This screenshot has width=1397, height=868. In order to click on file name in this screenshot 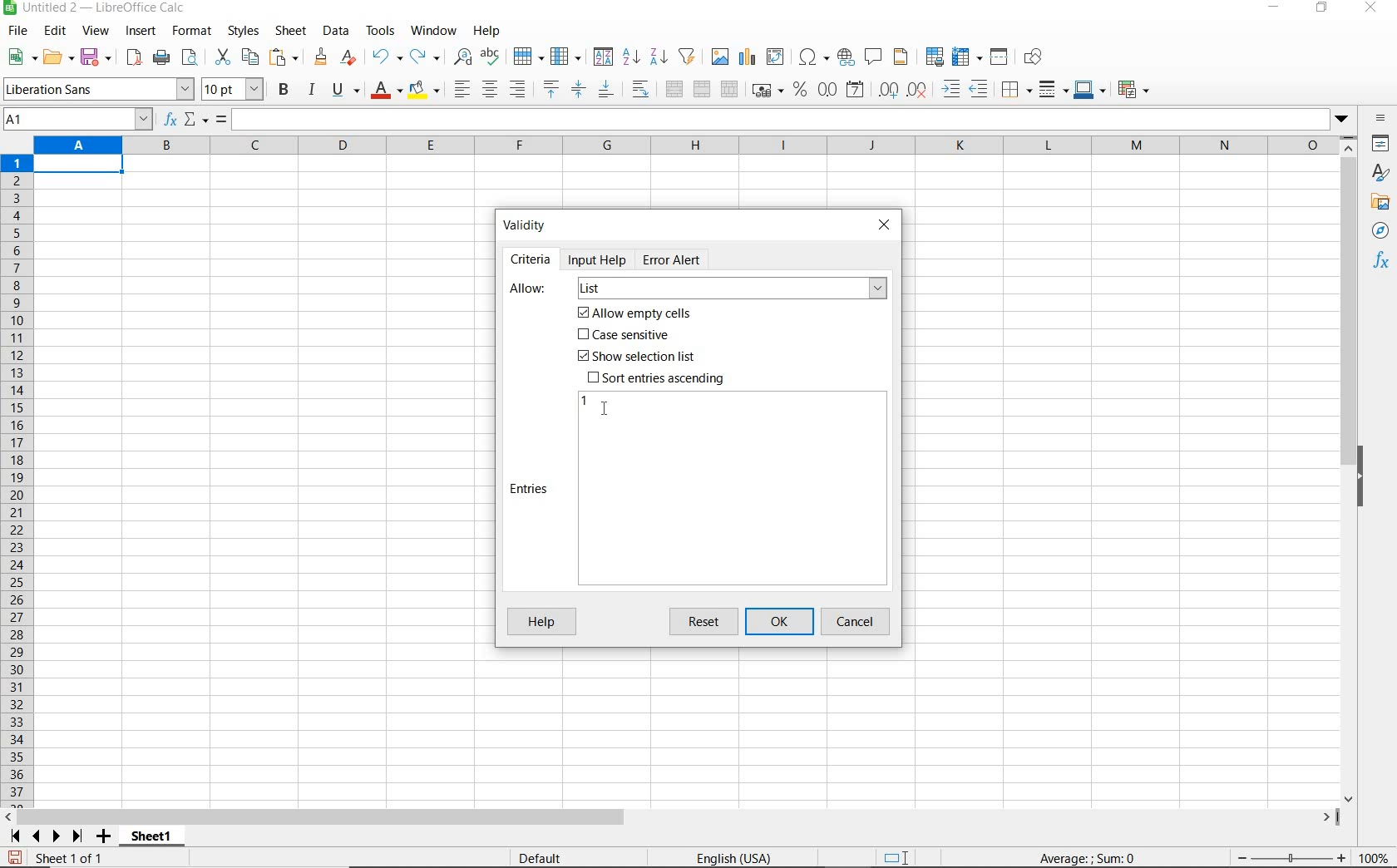, I will do `click(95, 9)`.